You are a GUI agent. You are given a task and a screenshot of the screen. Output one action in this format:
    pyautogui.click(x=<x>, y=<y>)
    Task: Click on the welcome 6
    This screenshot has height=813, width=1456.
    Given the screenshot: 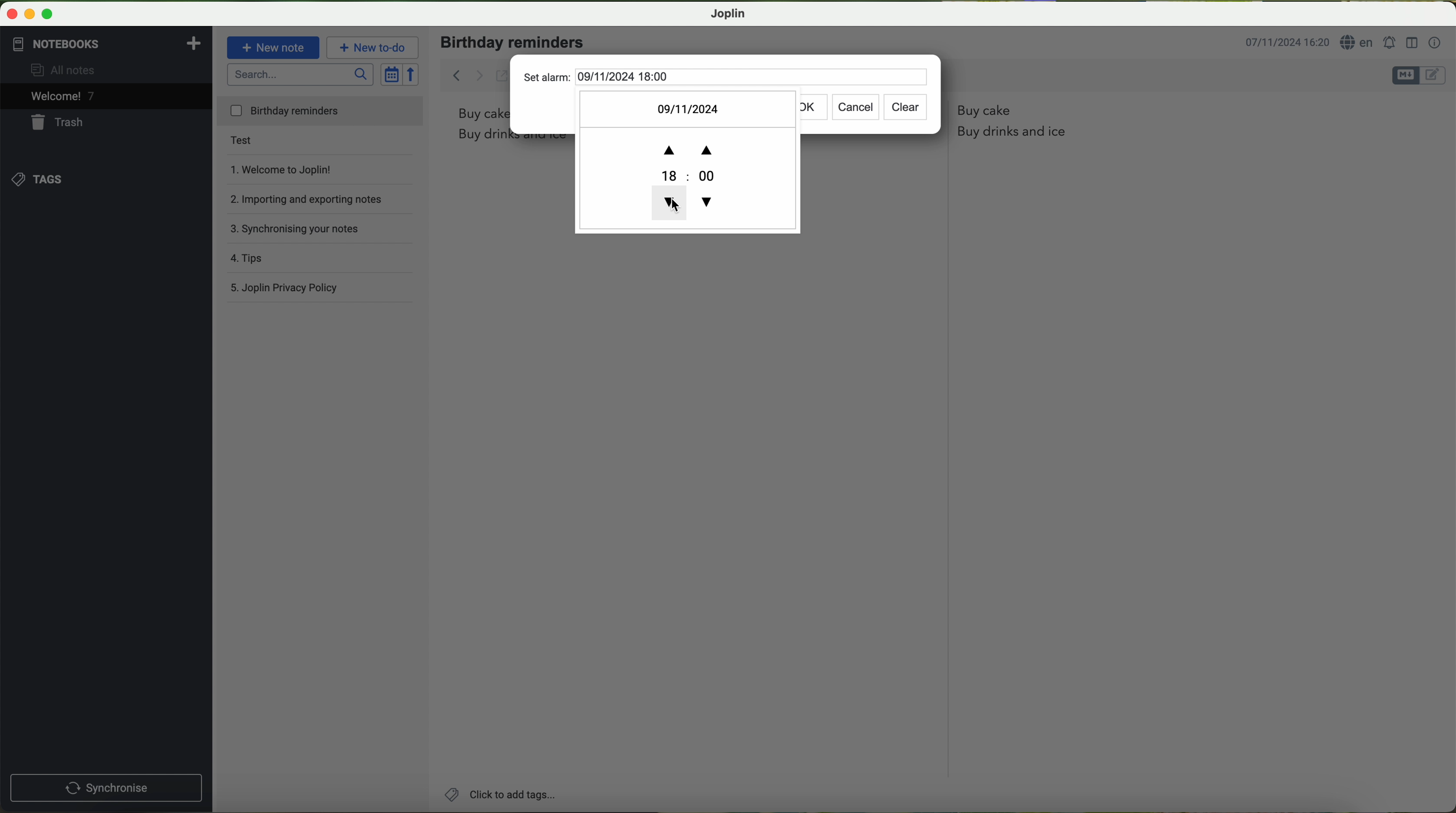 What is the action you would take?
    pyautogui.click(x=64, y=97)
    